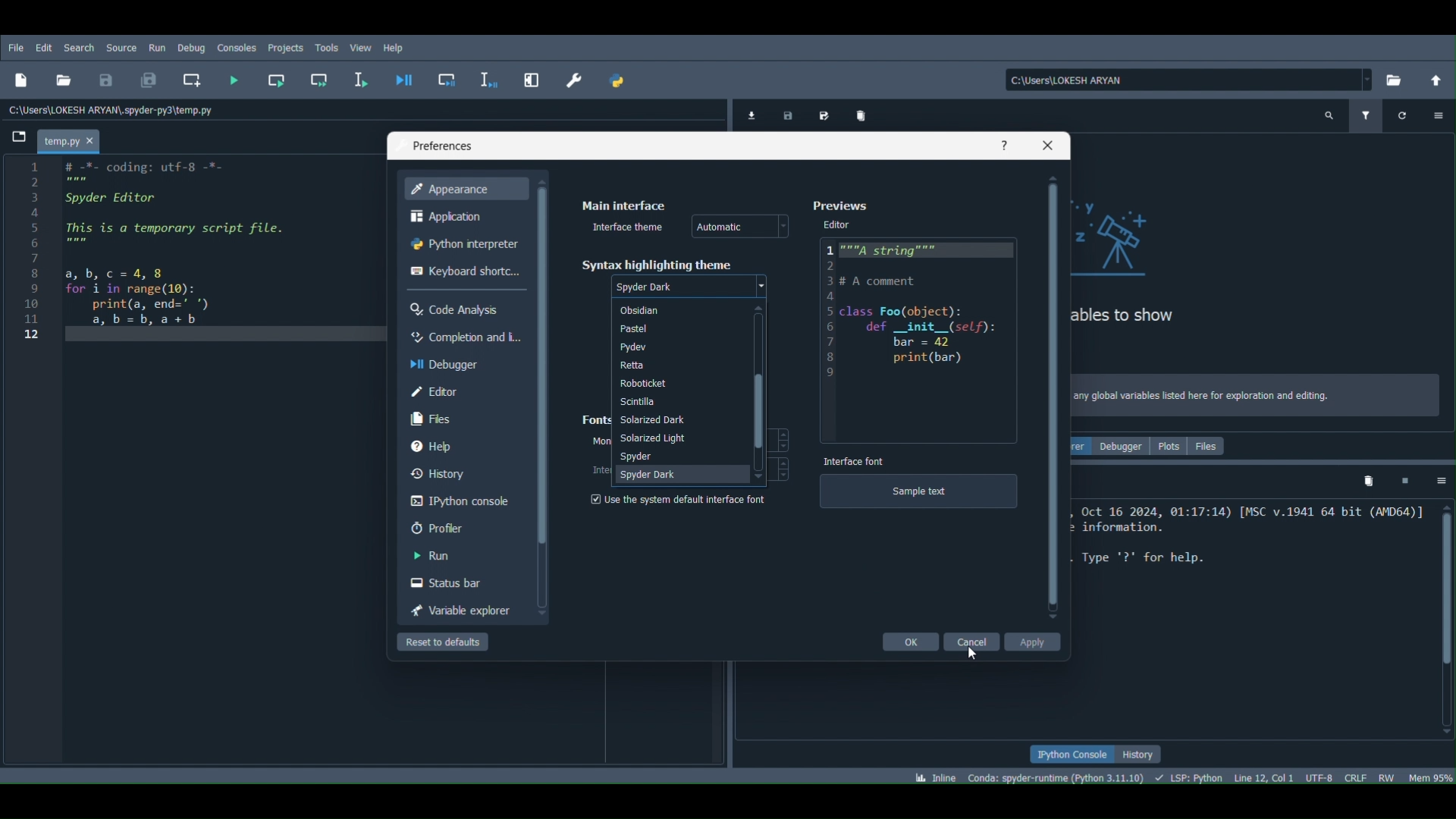 The height and width of the screenshot is (819, 1456). Describe the element at coordinates (759, 393) in the screenshot. I see `Scrollbar` at that location.